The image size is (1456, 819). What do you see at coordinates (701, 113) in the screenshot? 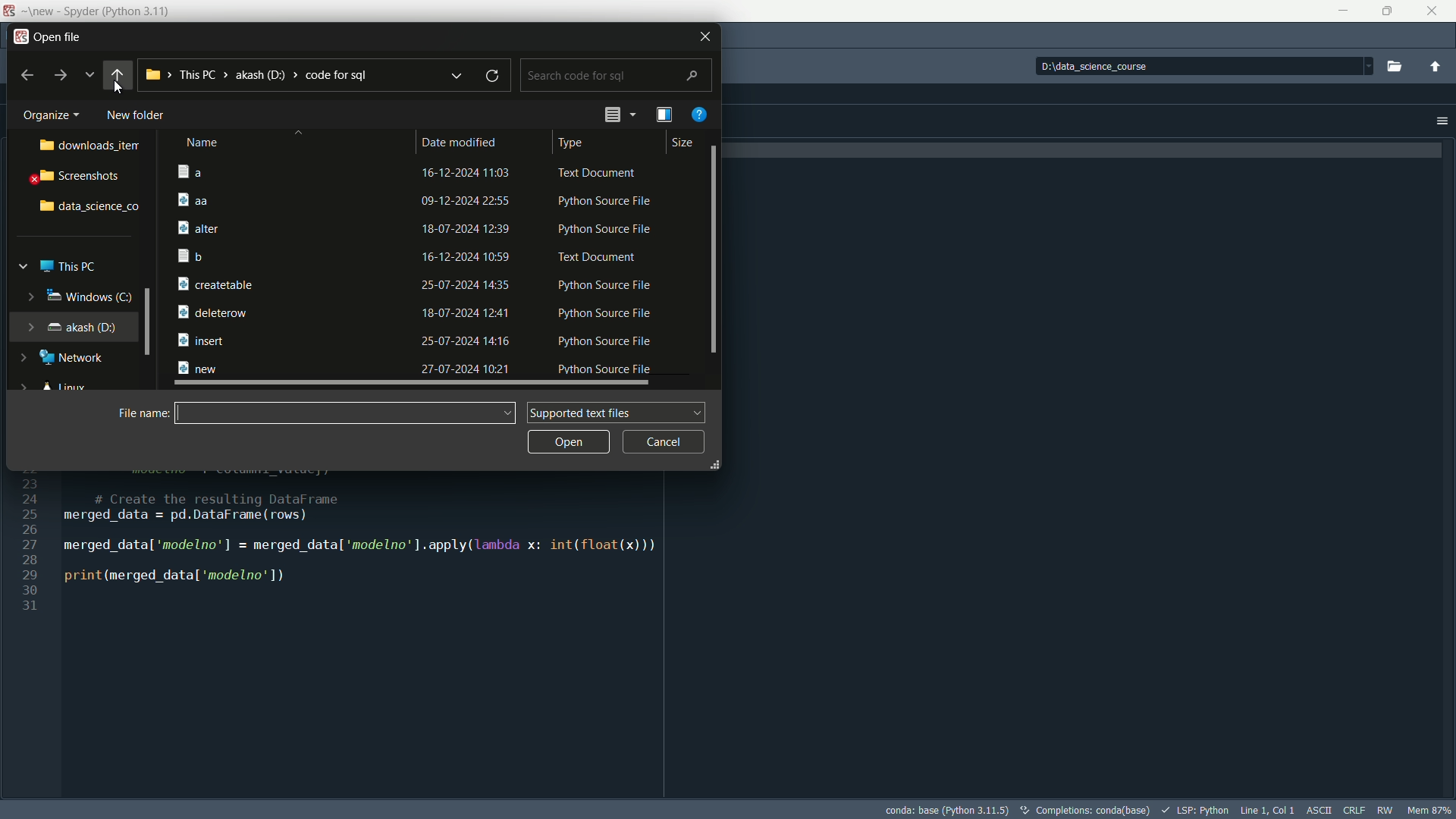
I see `get help` at bounding box center [701, 113].